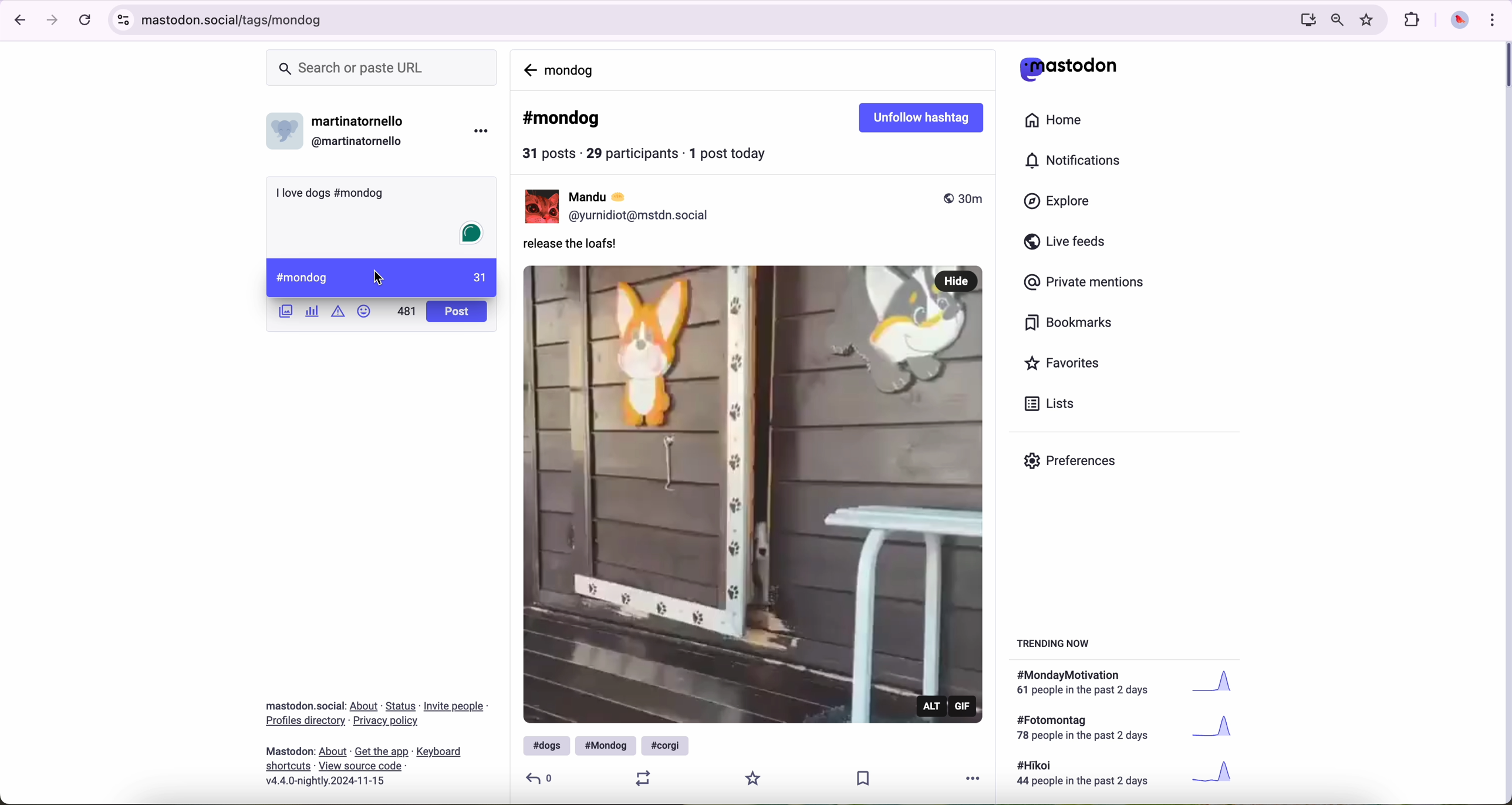 The image size is (1512, 805). What do you see at coordinates (1460, 22) in the screenshot?
I see `profile picture` at bounding box center [1460, 22].